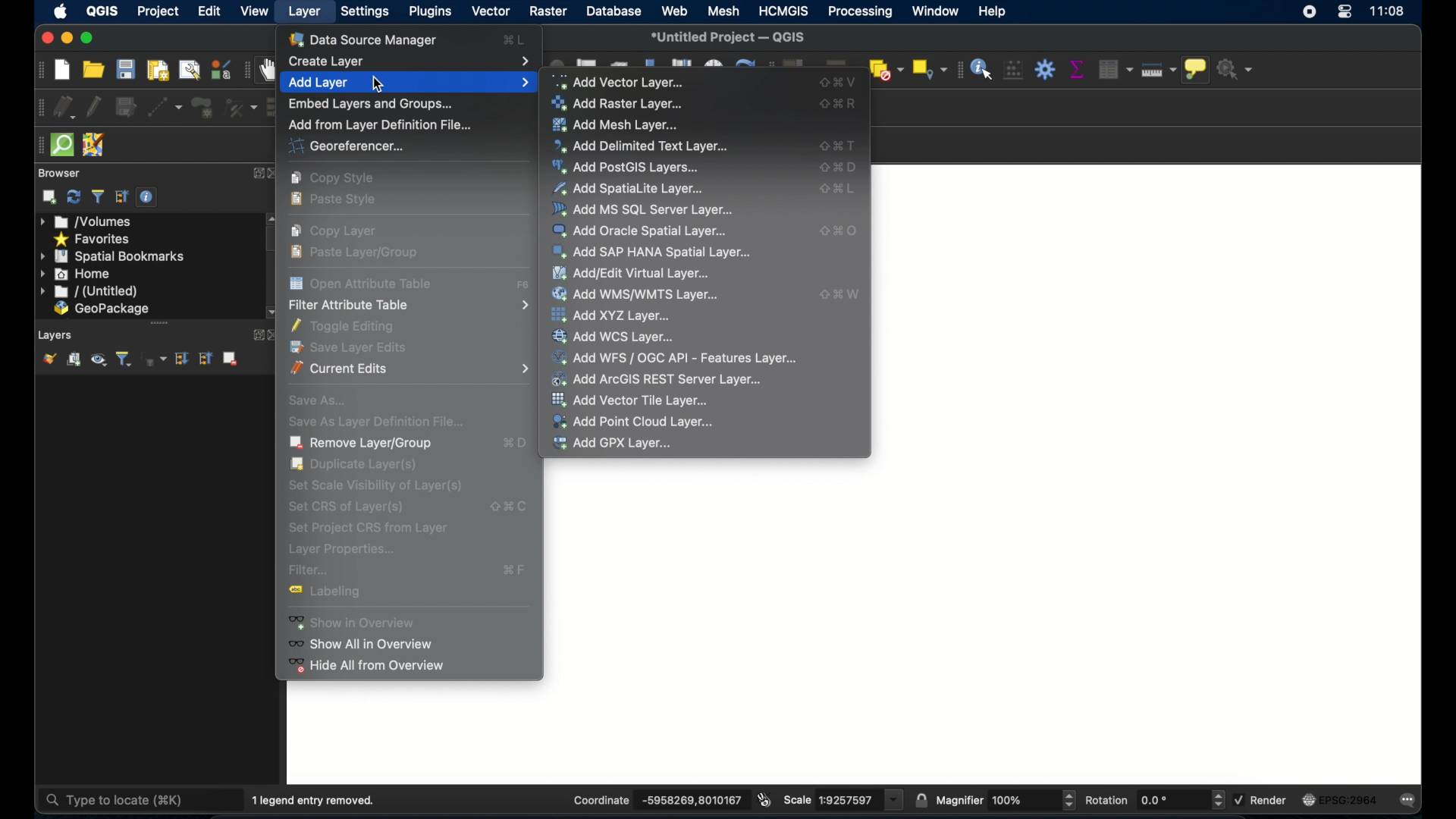 This screenshot has width=1456, height=819. Describe the element at coordinates (350, 507) in the screenshot. I see `set csr of layers` at that location.